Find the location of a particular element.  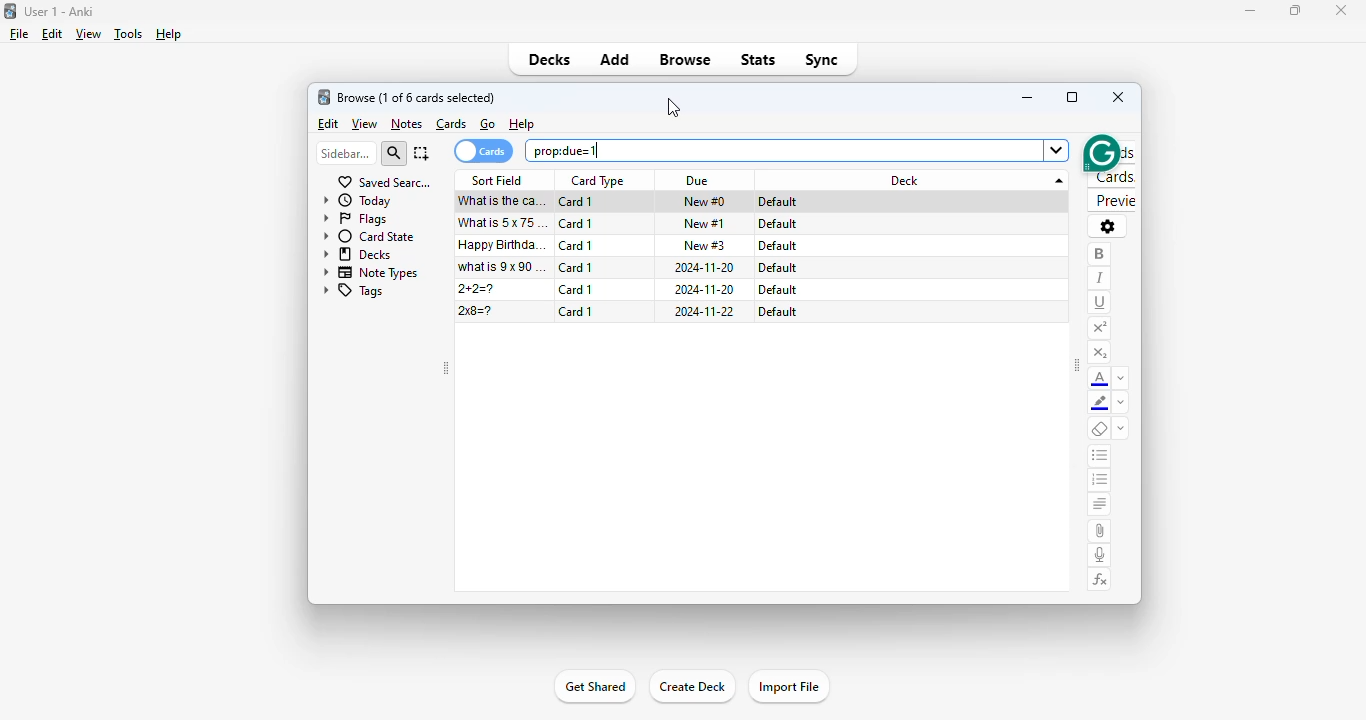

logo is located at coordinates (11, 11).